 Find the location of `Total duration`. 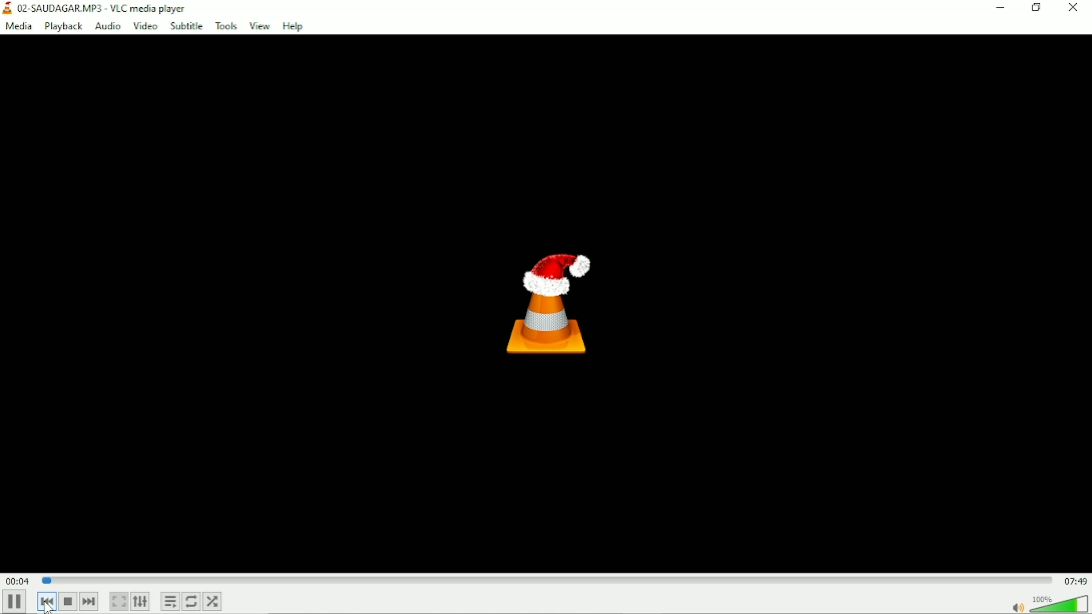

Total duration is located at coordinates (1076, 581).